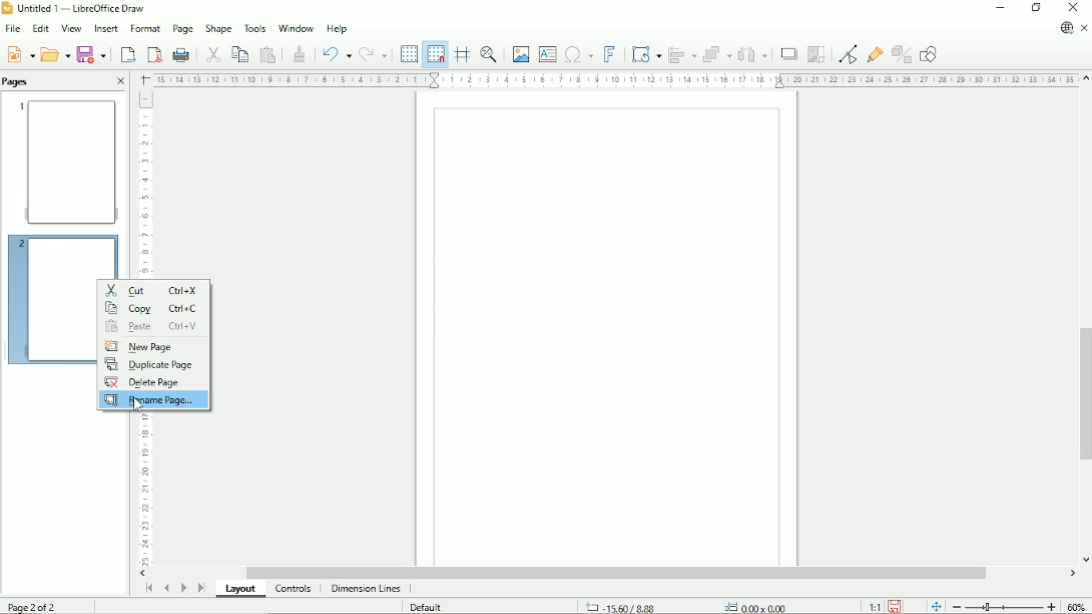  Describe the element at coordinates (373, 55) in the screenshot. I see `Redo` at that location.